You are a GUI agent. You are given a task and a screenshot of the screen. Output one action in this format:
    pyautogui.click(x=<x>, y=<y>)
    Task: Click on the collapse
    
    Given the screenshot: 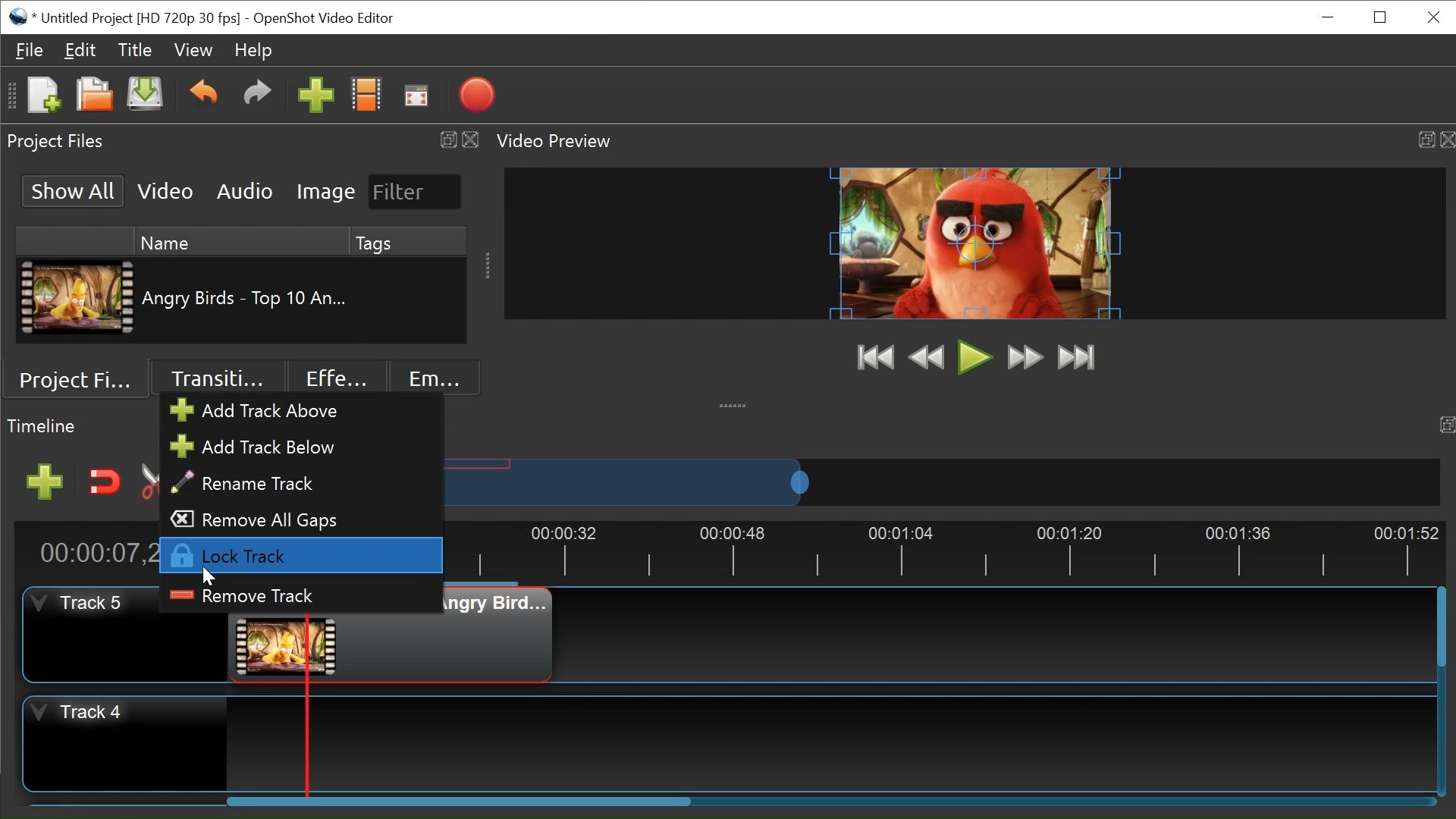 What is the action you would take?
    pyautogui.click(x=736, y=407)
    